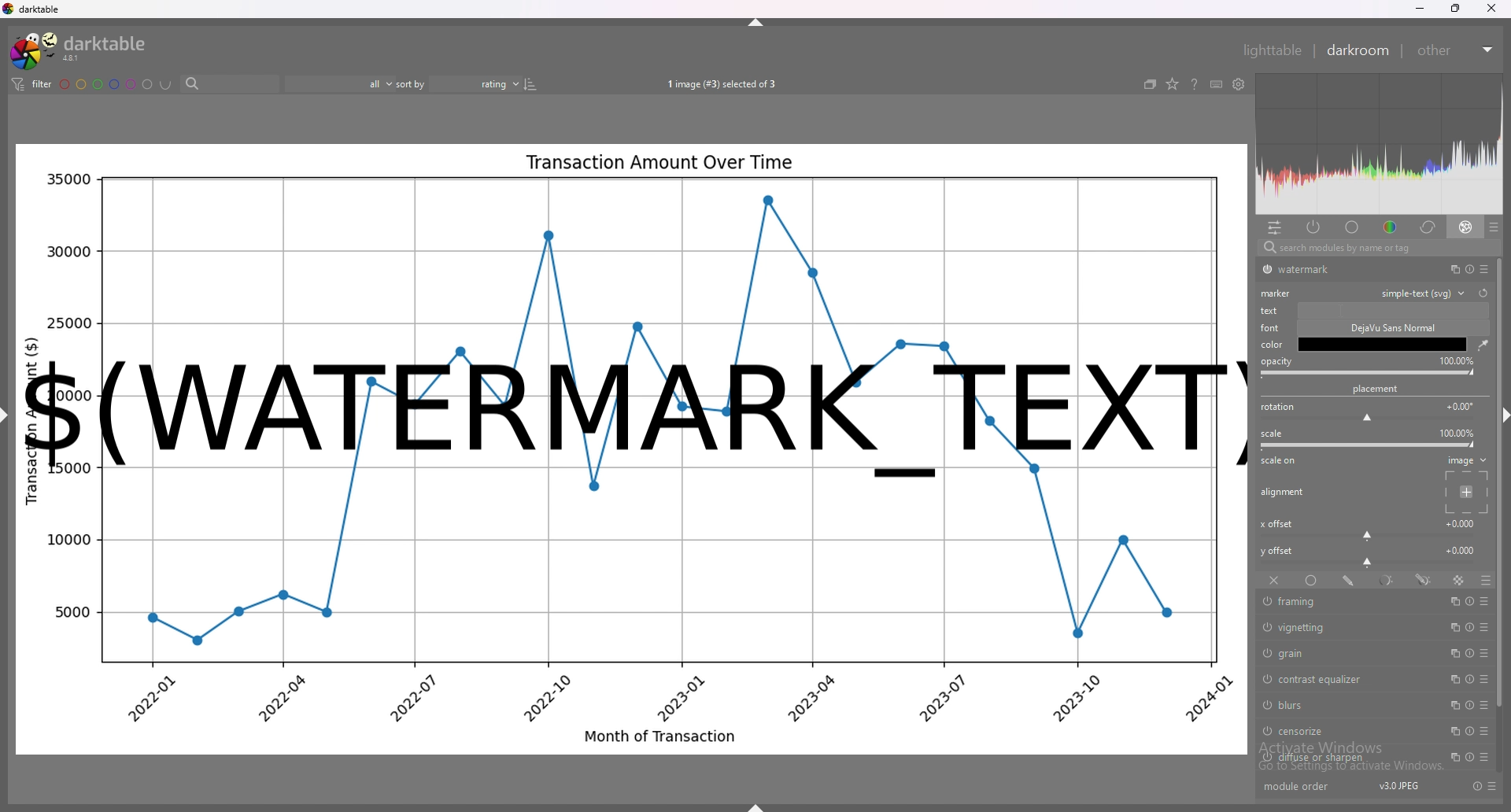 Image resolution: width=1511 pixels, height=812 pixels. I want to click on switch off, so click(1265, 758).